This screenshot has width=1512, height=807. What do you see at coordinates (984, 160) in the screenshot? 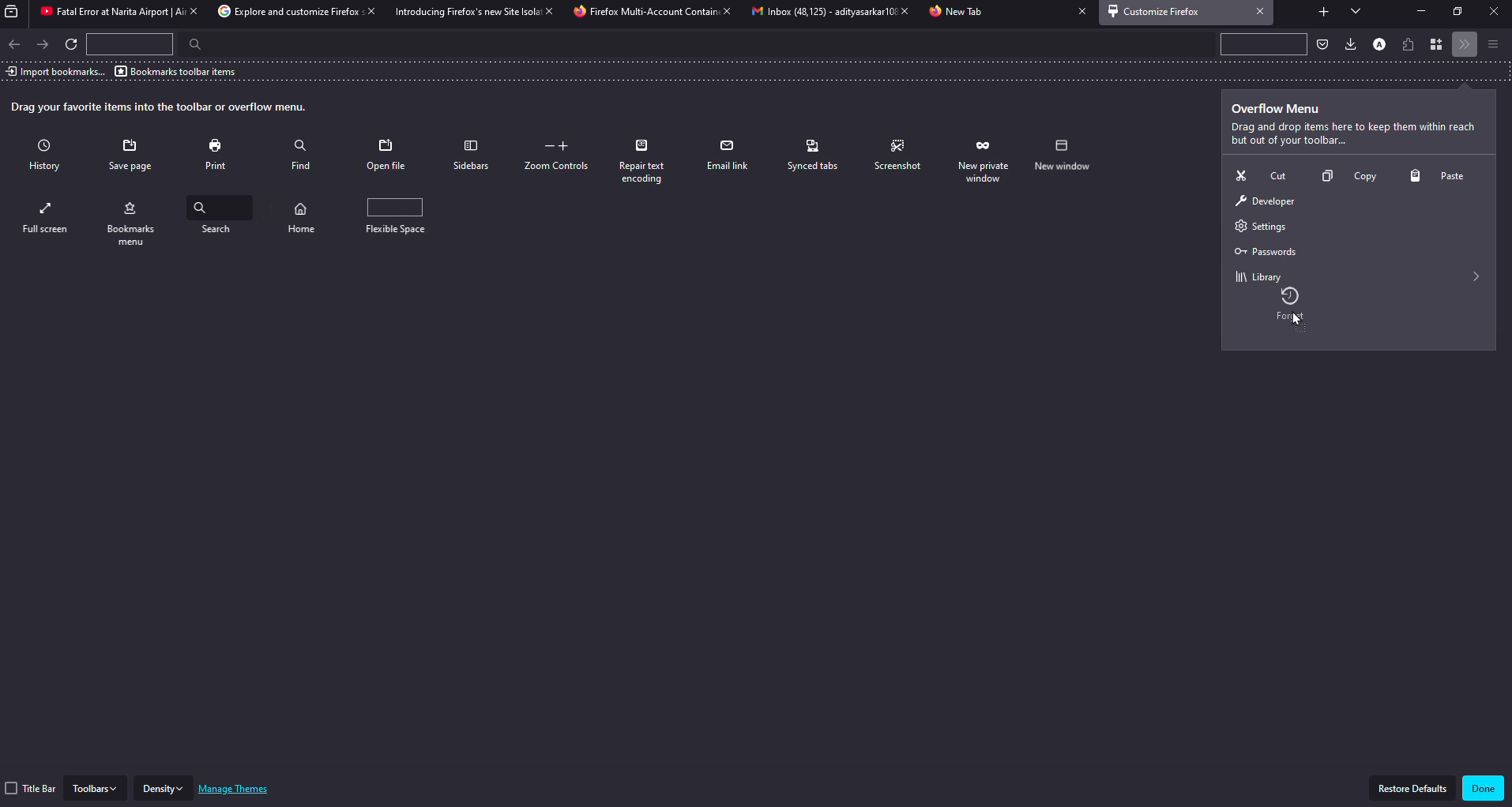
I see `forget` at bounding box center [984, 160].